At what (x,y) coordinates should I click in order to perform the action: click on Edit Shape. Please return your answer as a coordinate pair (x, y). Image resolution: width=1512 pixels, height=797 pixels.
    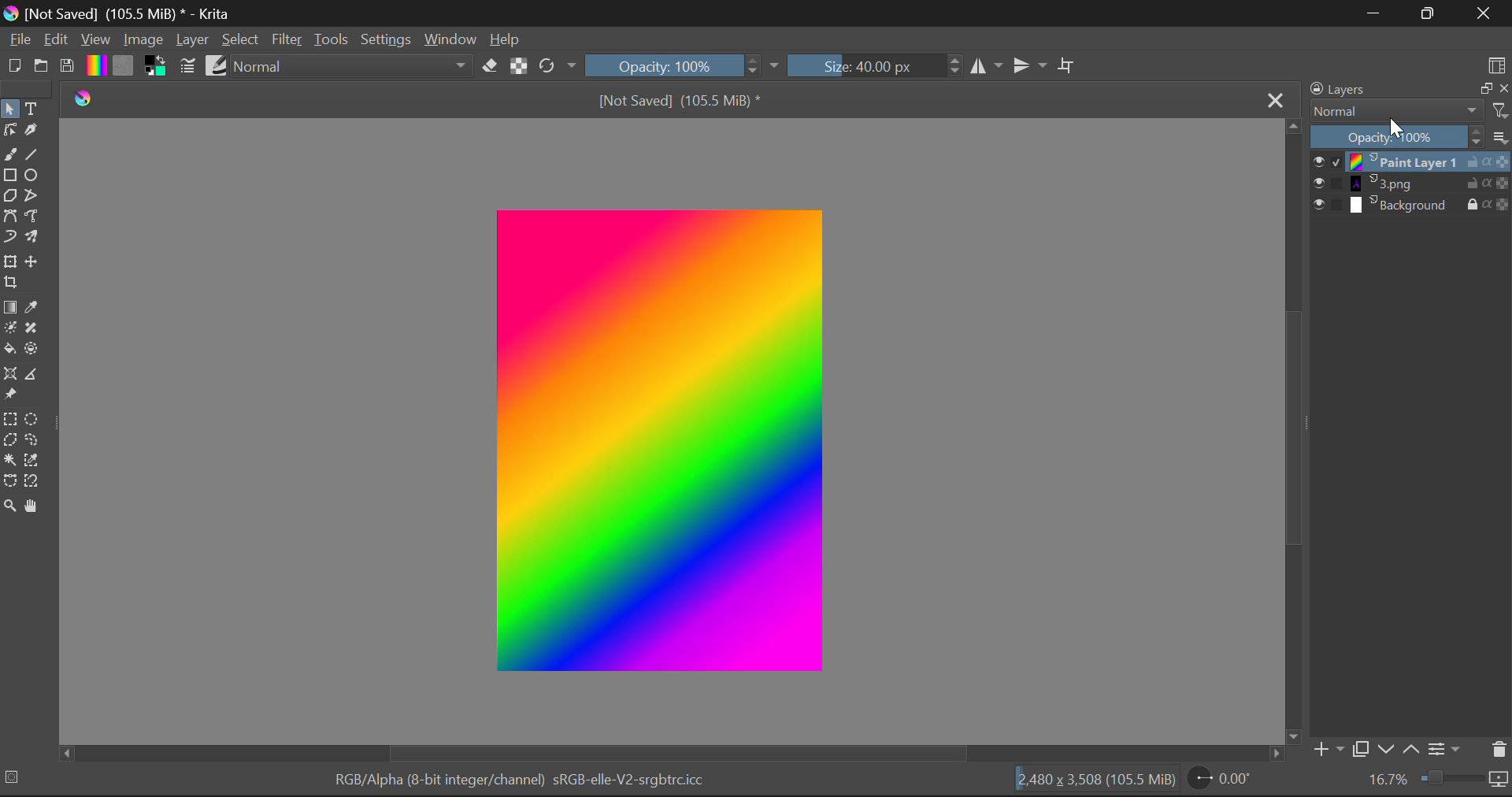
    Looking at the image, I should click on (9, 130).